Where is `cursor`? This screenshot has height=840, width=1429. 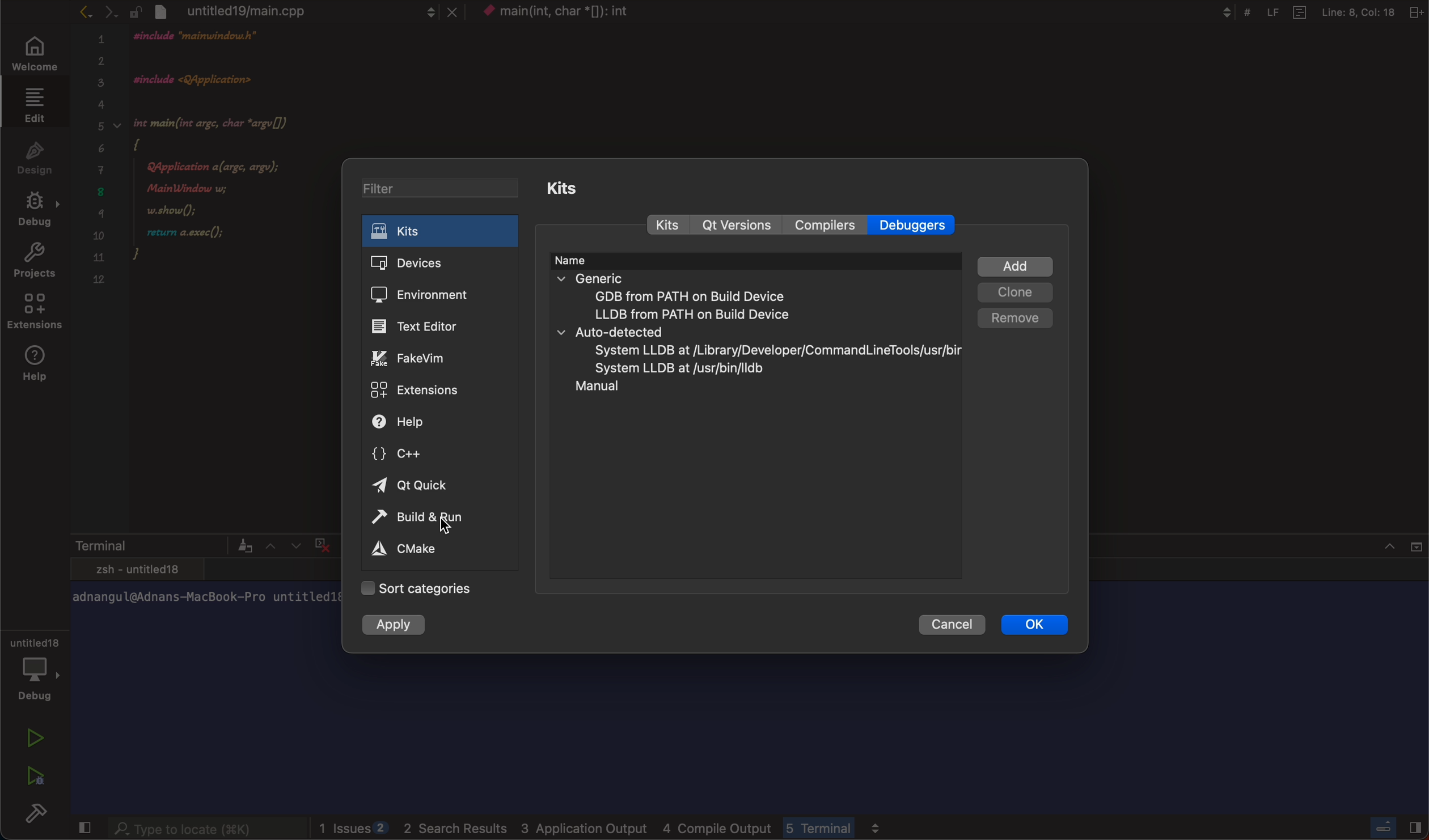
cursor is located at coordinates (442, 523).